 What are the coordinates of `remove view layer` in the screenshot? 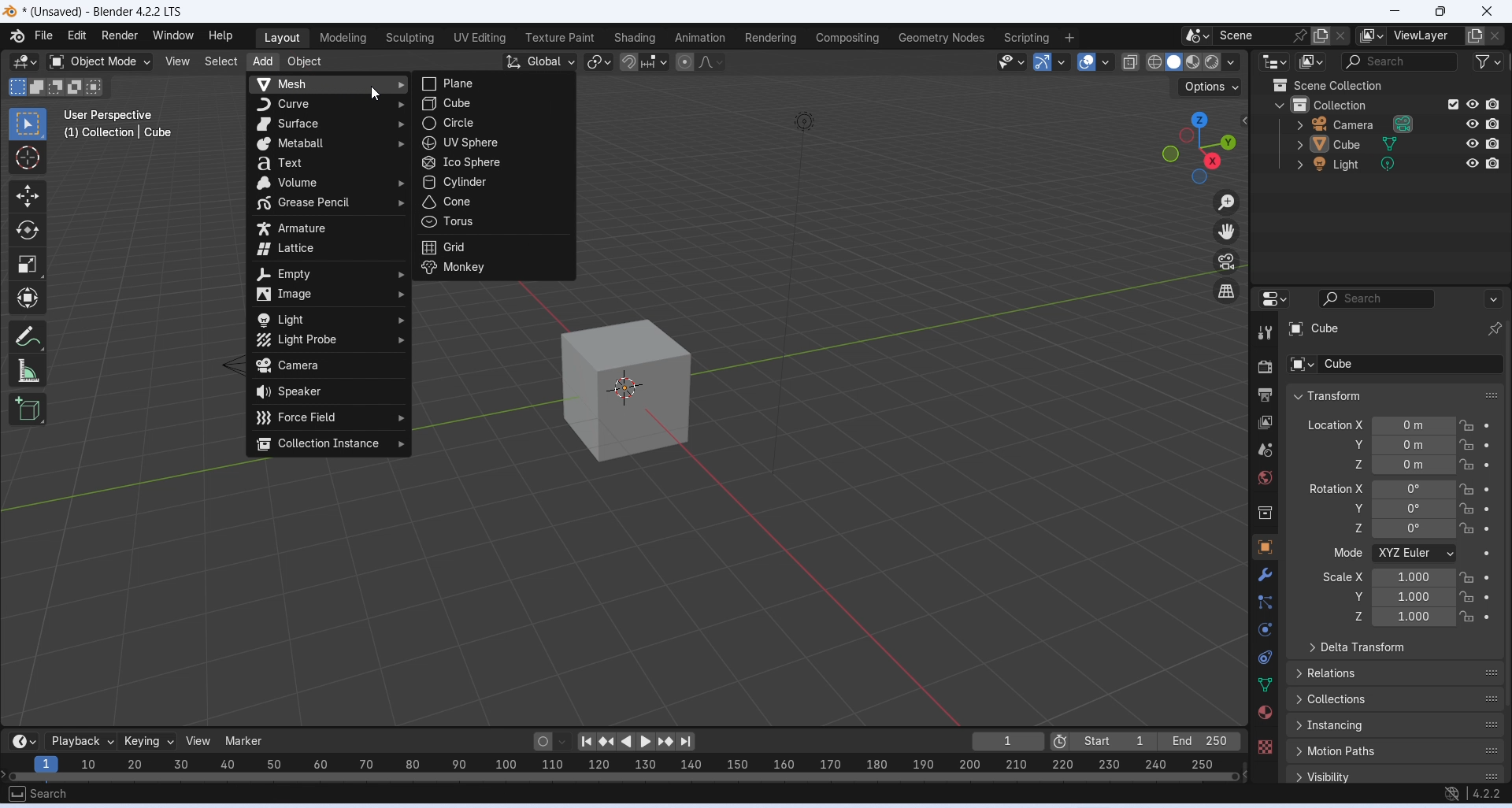 It's located at (1496, 36).